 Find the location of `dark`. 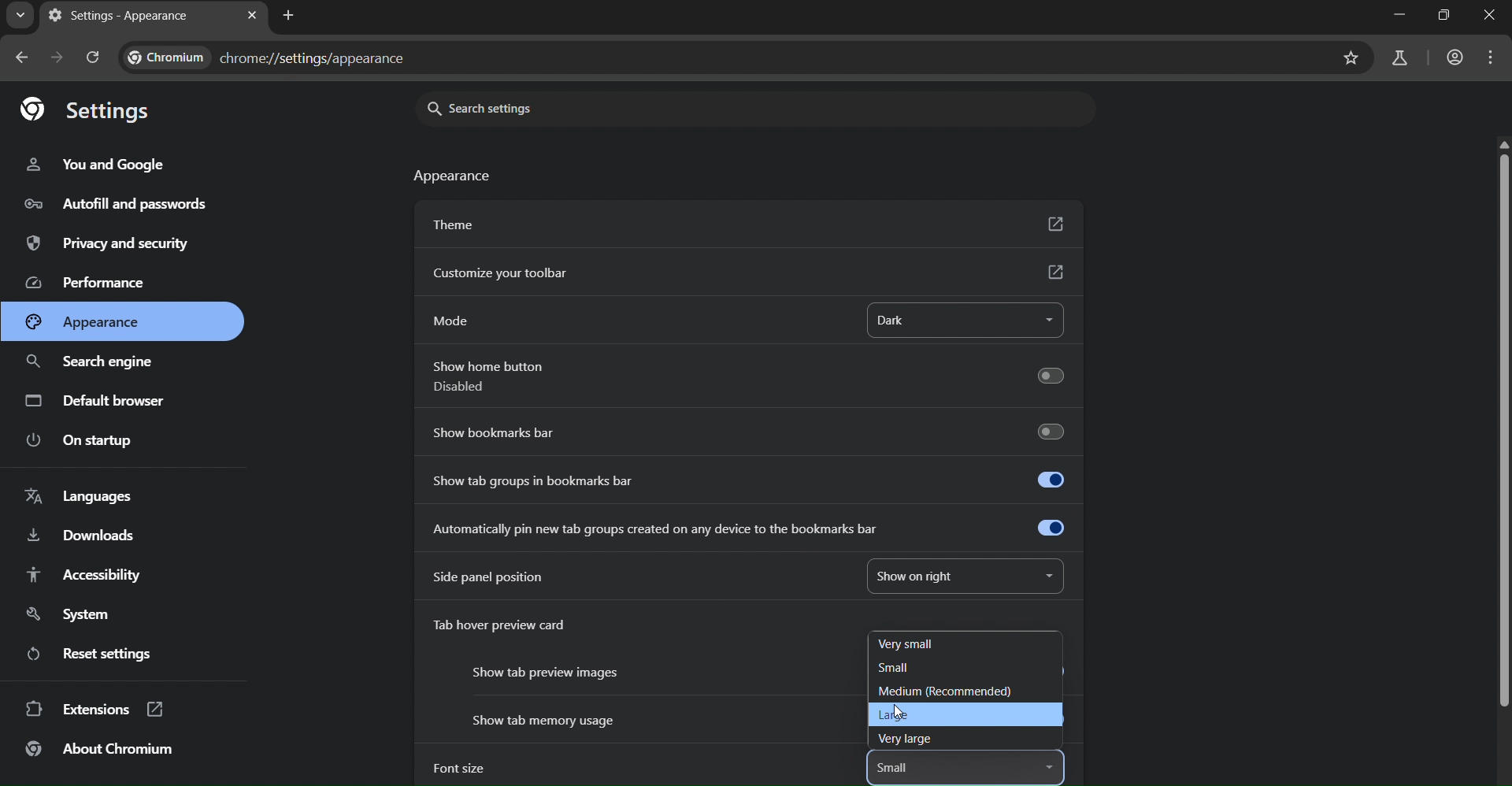

dark is located at coordinates (923, 321).